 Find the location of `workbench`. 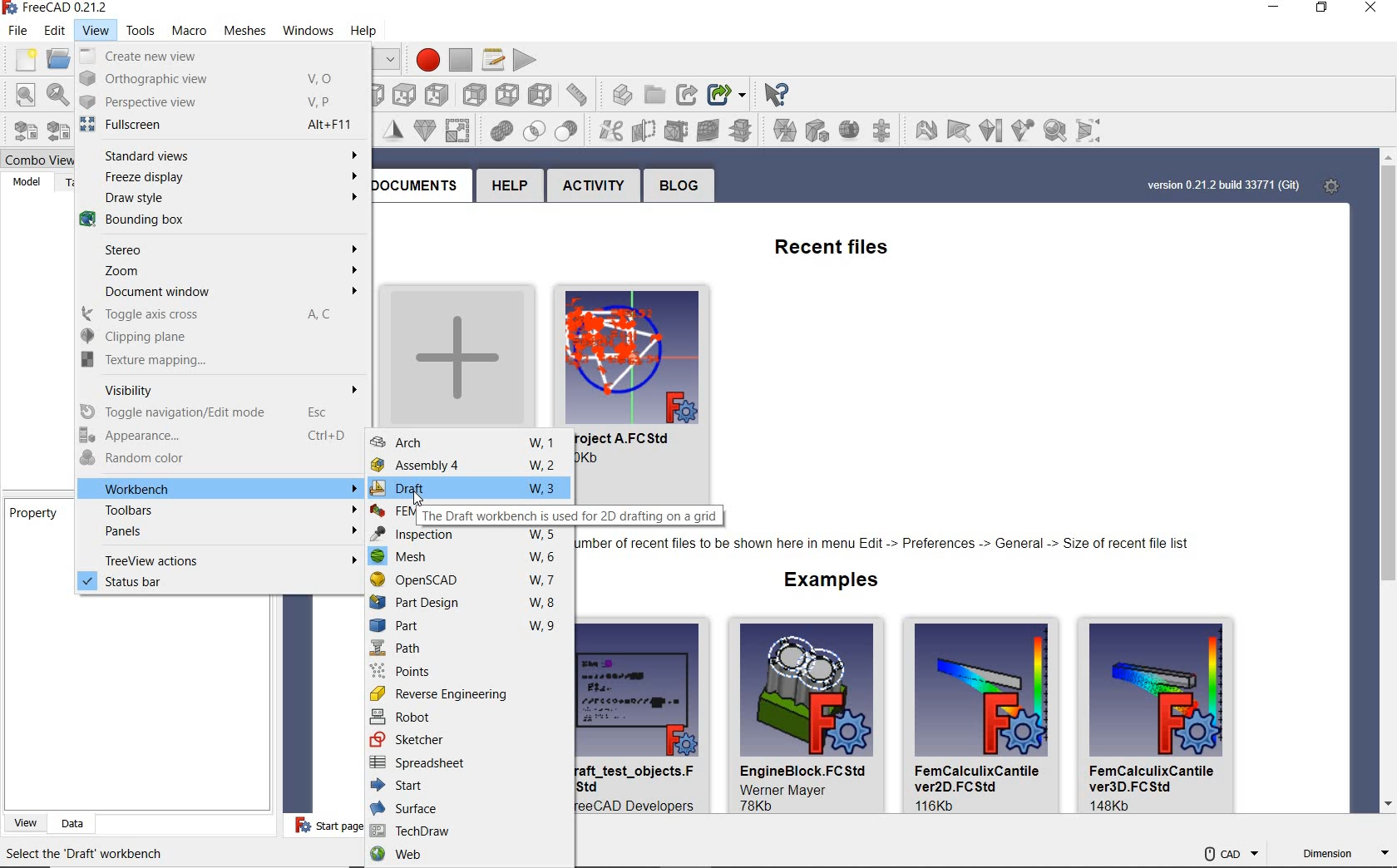

workbench is located at coordinates (221, 489).